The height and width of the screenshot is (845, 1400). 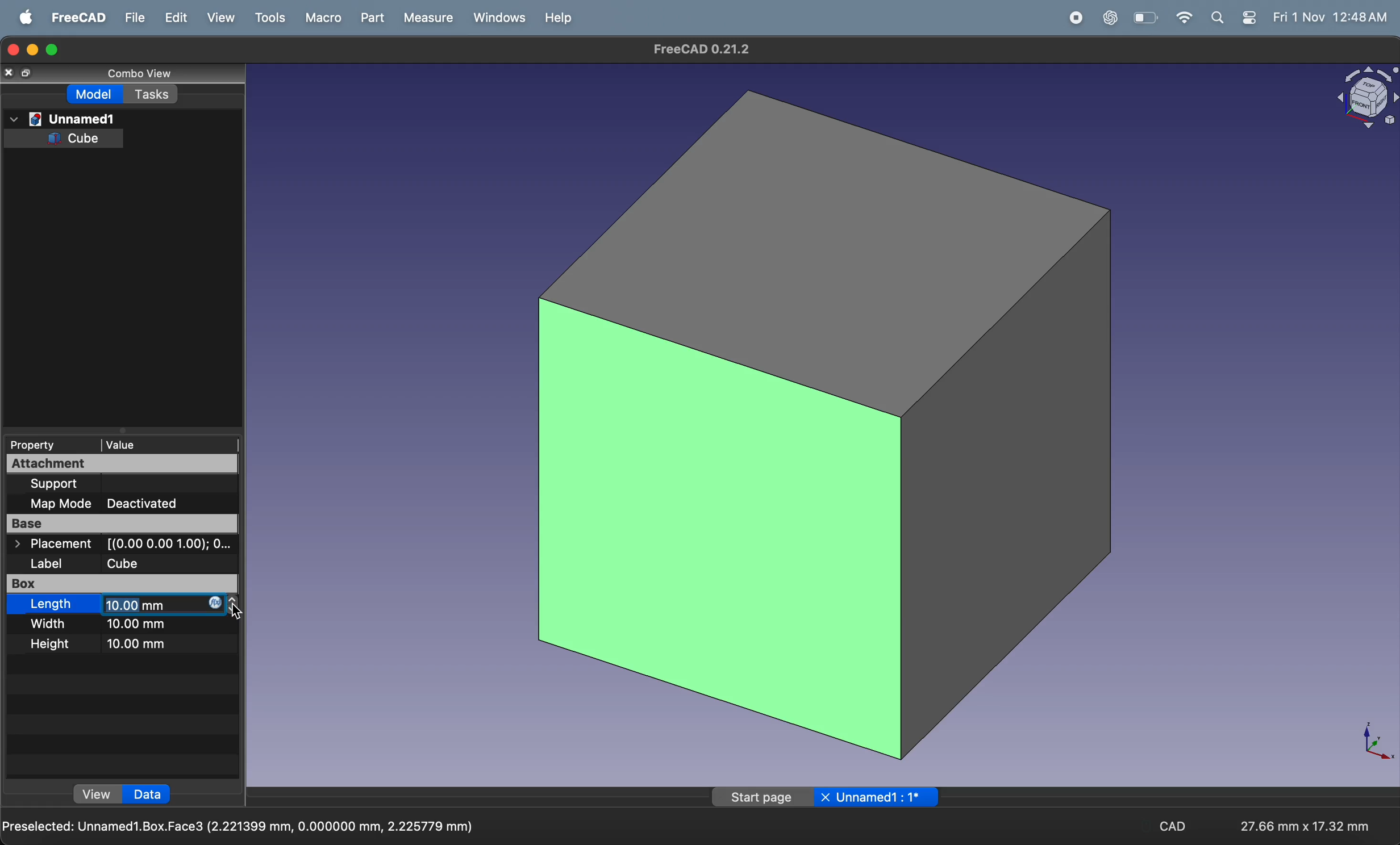 I want to click on axis, so click(x=1372, y=742).